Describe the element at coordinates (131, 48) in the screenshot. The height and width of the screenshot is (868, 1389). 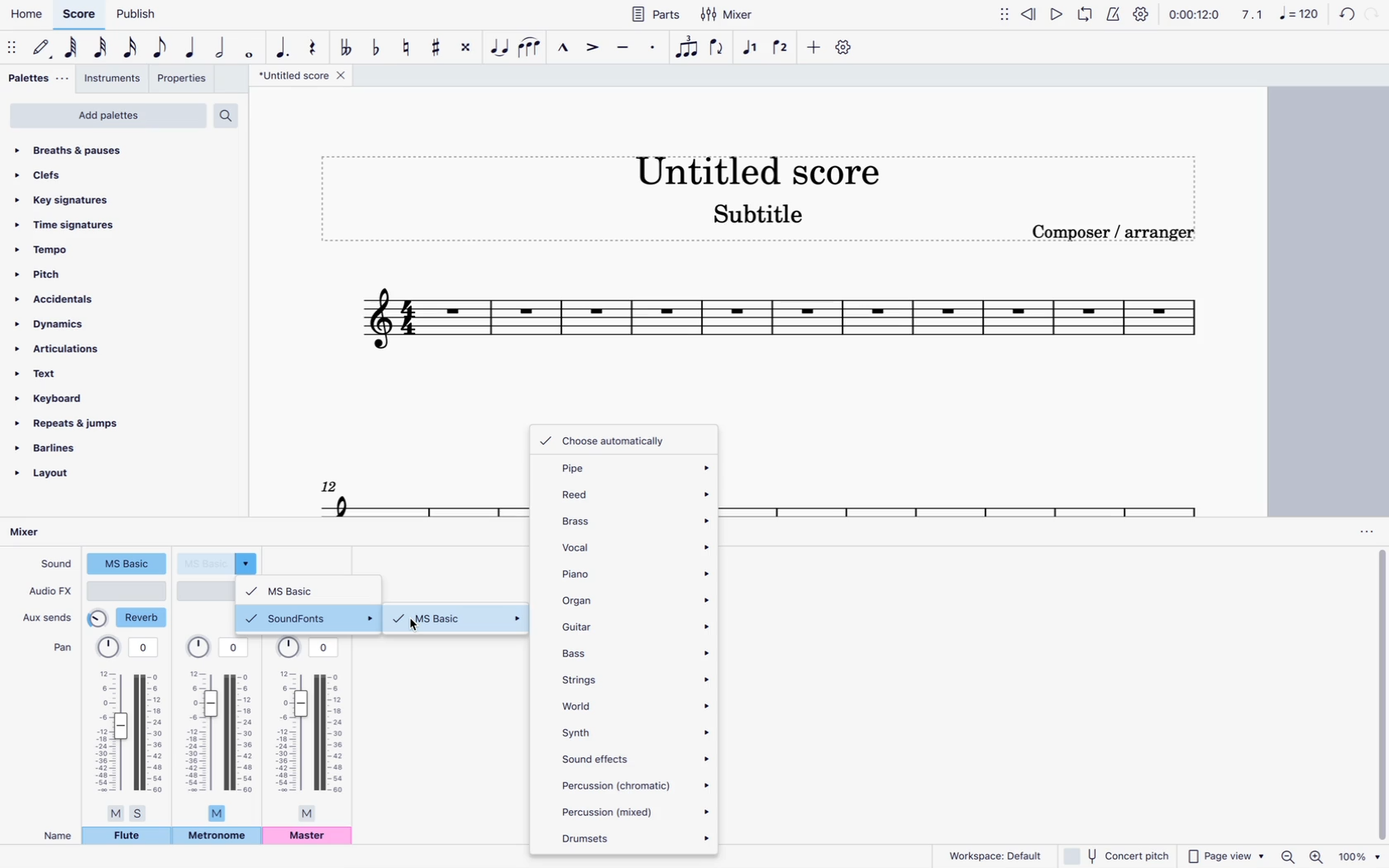
I see `16th note` at that location.